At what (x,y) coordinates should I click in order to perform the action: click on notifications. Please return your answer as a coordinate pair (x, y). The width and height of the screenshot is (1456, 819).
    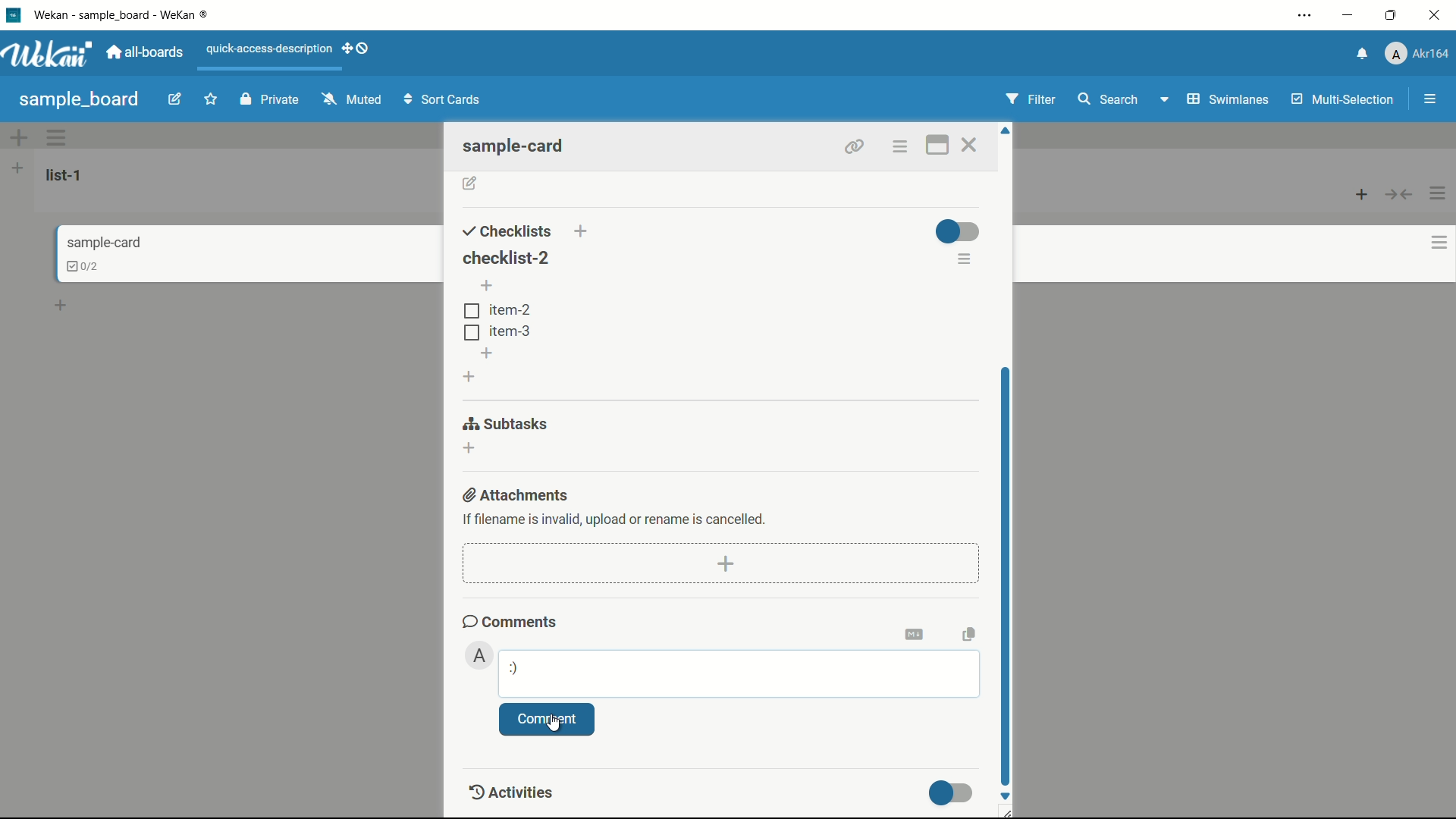
    Looking at the image, I should click on (1363, 52).